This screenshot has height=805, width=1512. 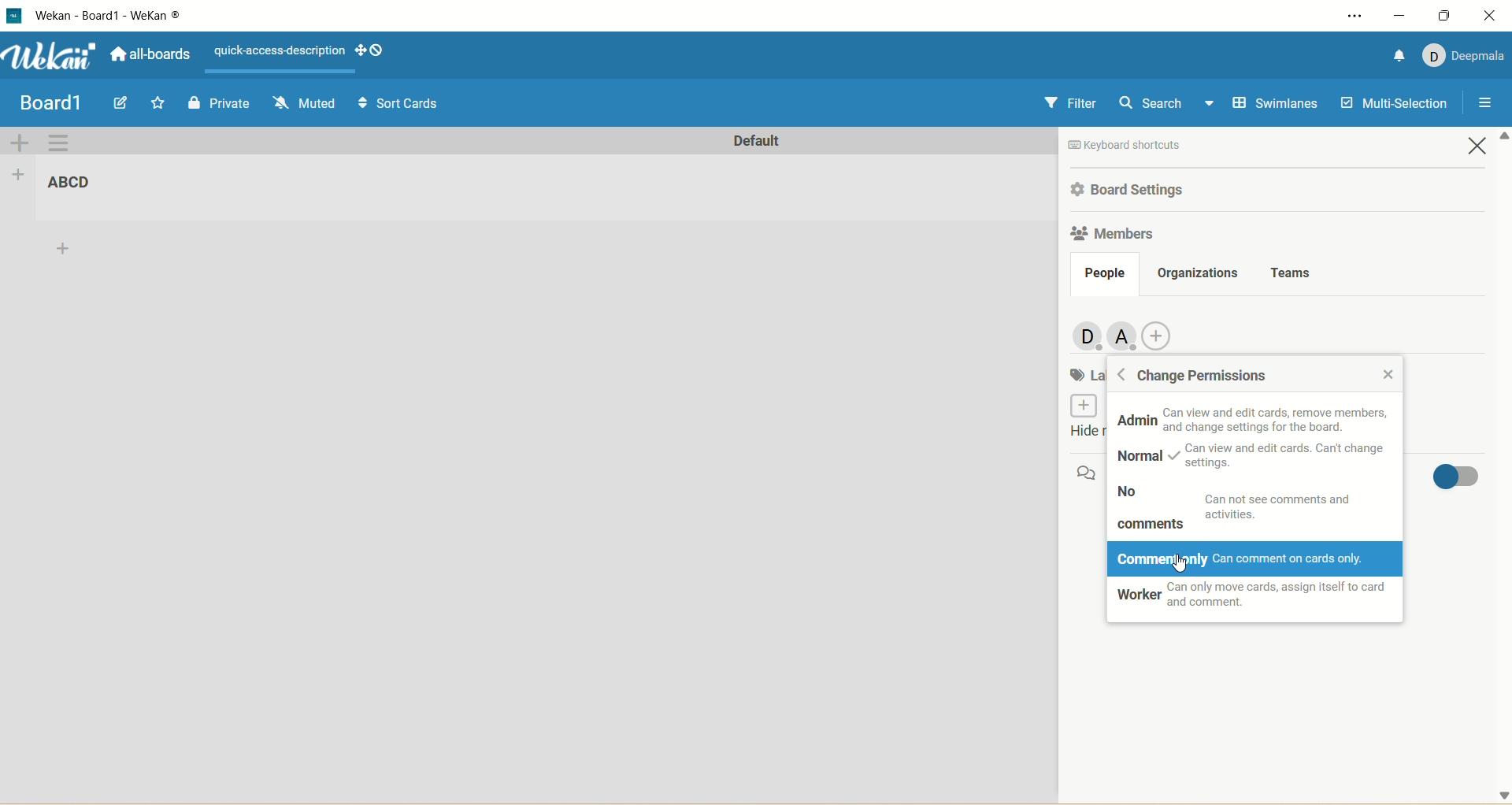 What do you see at coordinates (1164, 333) in the screenshot?
I see `add member` at bounding box center [1164, 333].